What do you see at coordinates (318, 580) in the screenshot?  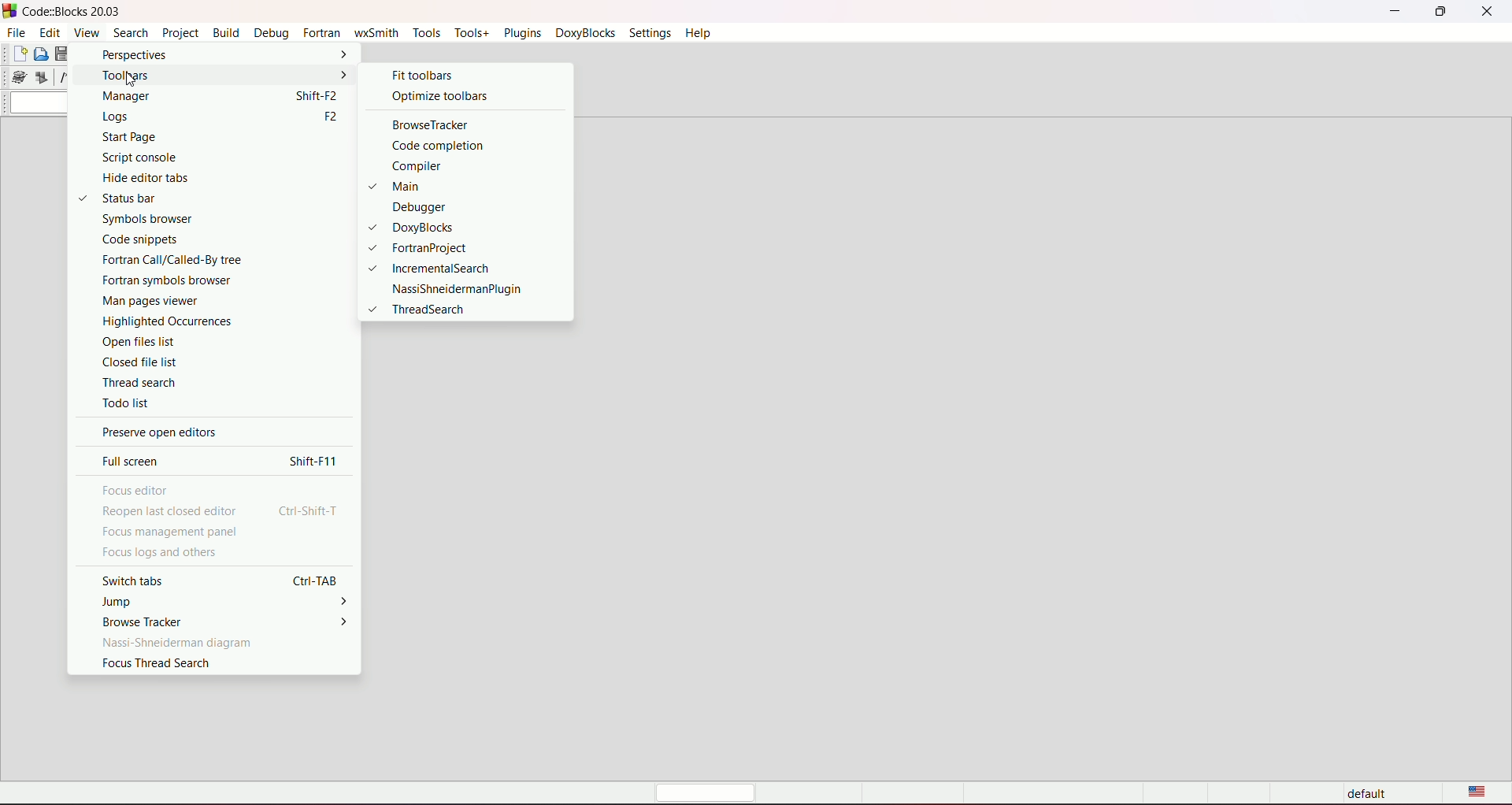 I see `ctrl+TAB` at bounding box center [318, 580].